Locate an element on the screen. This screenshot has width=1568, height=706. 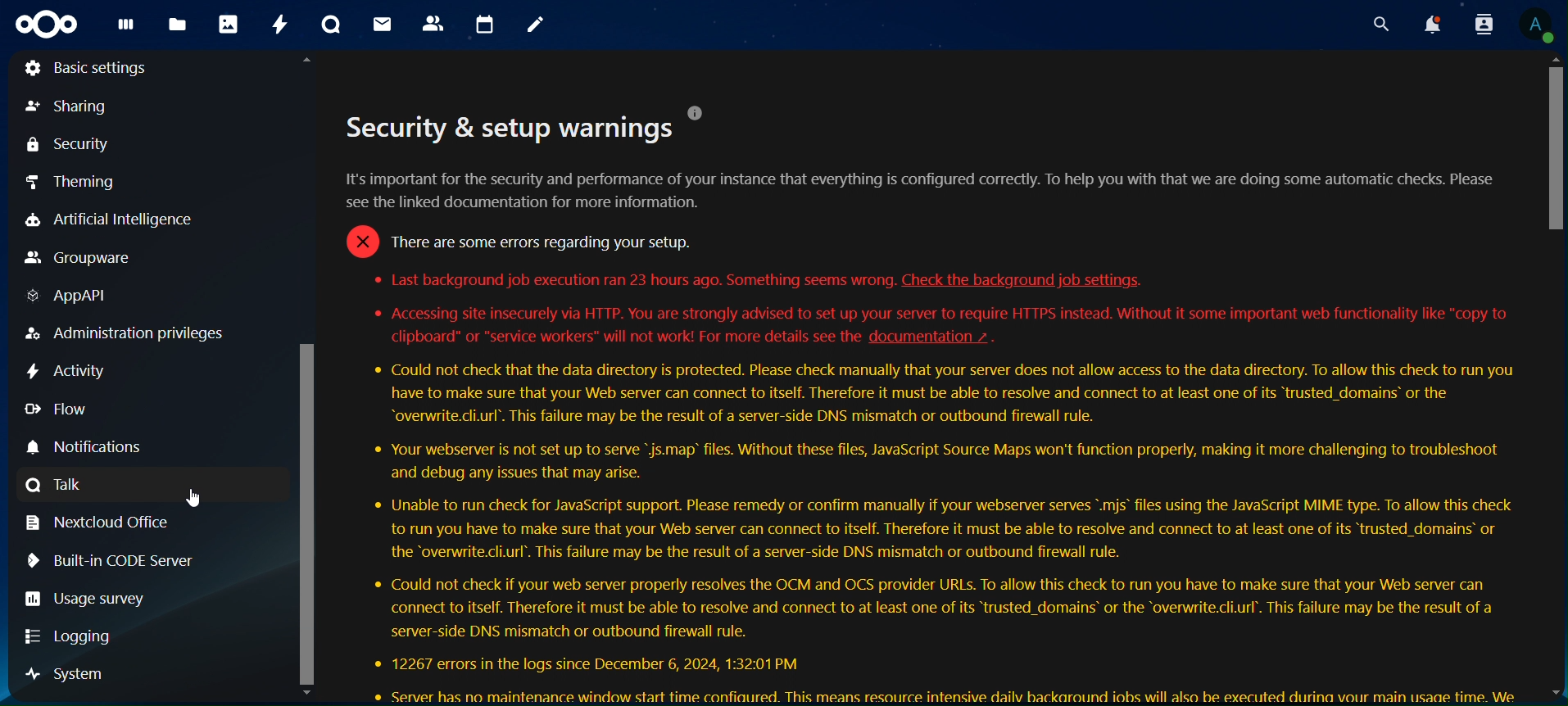
There are some errors regarding your setup. is located at coordinates (539, 241).